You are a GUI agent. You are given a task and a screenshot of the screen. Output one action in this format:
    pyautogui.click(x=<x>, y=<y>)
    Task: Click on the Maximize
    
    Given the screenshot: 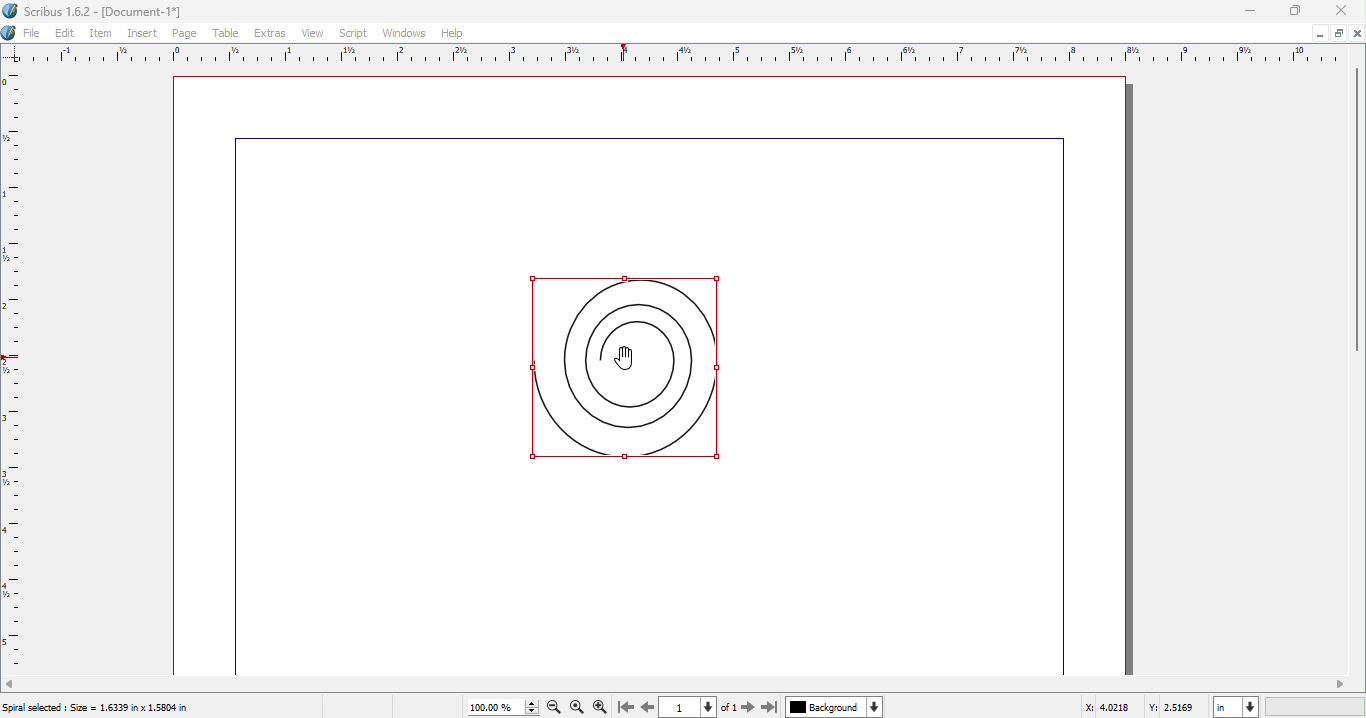 What is the action you would take?
    pyautogui.click(x=1296, y=11)
    